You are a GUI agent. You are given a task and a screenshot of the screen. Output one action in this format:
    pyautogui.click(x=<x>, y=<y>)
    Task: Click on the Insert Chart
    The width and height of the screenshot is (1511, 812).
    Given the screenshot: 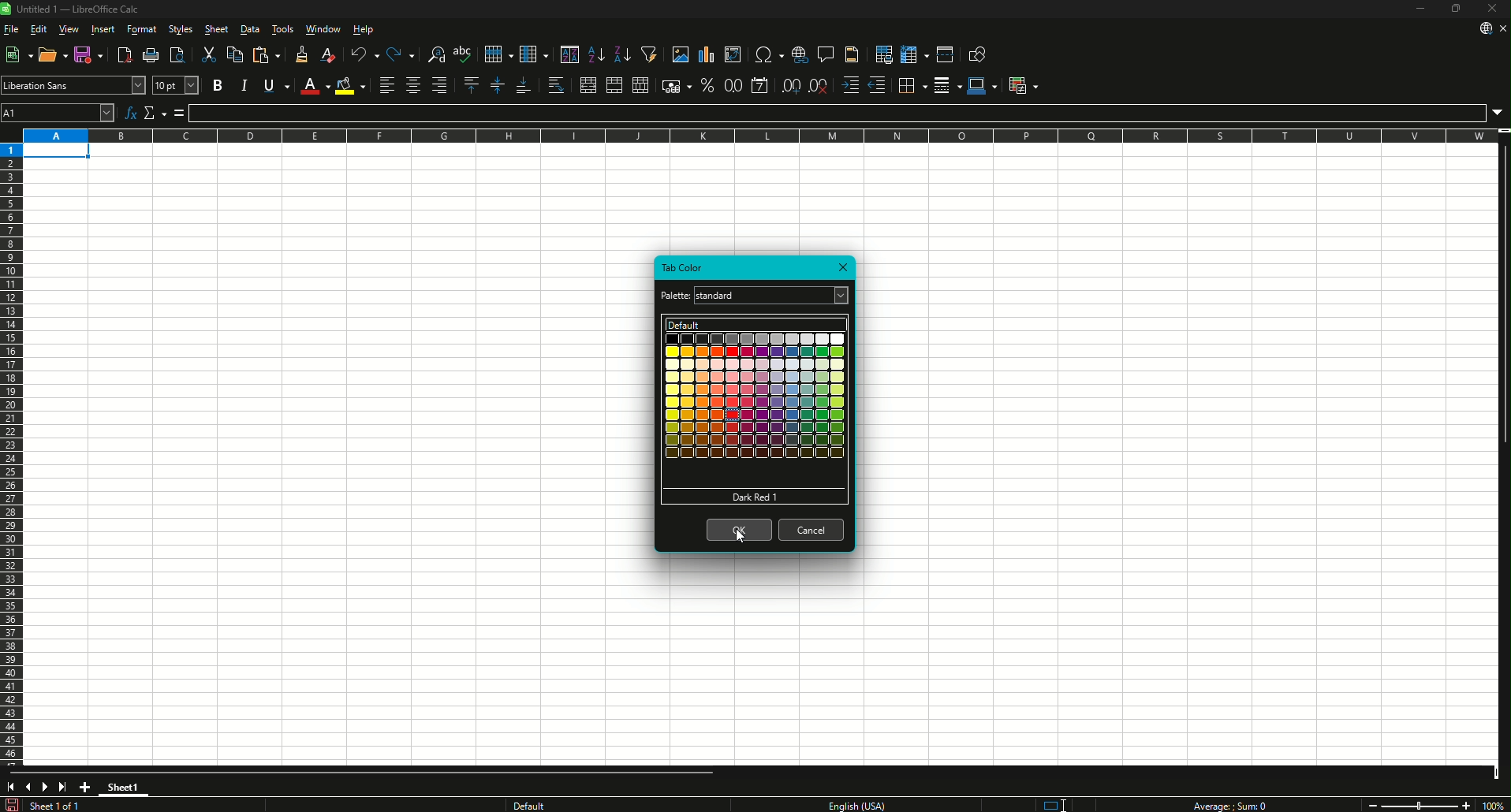 What is the action you would take?
    pyautogui.click(x=707, y=54)
    